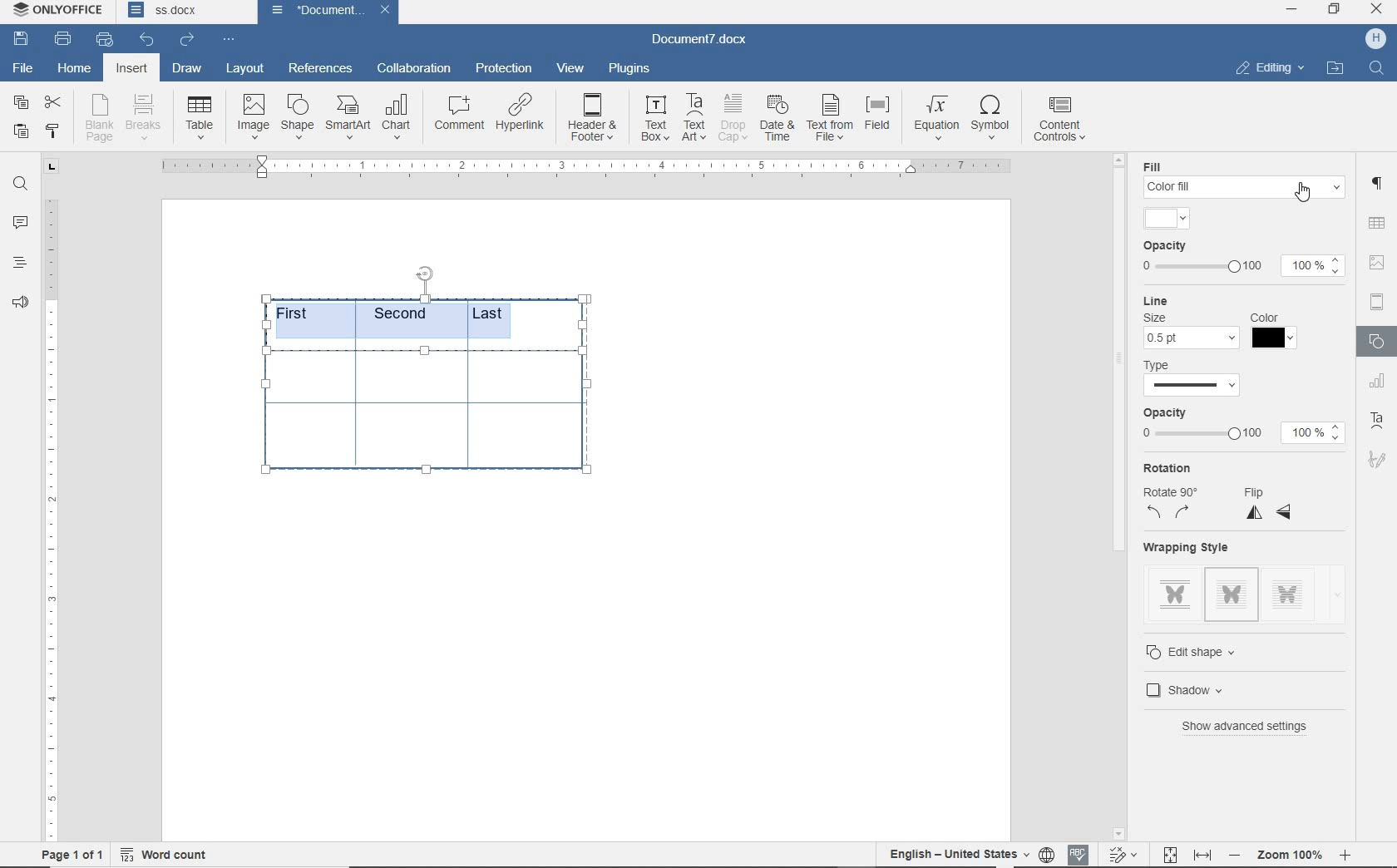 The width and height of the screenshot is (1397, 868). What do you see at coordinates (104, 40) in the screenshot?
I see `quick print` at bounding box center [104, 40].